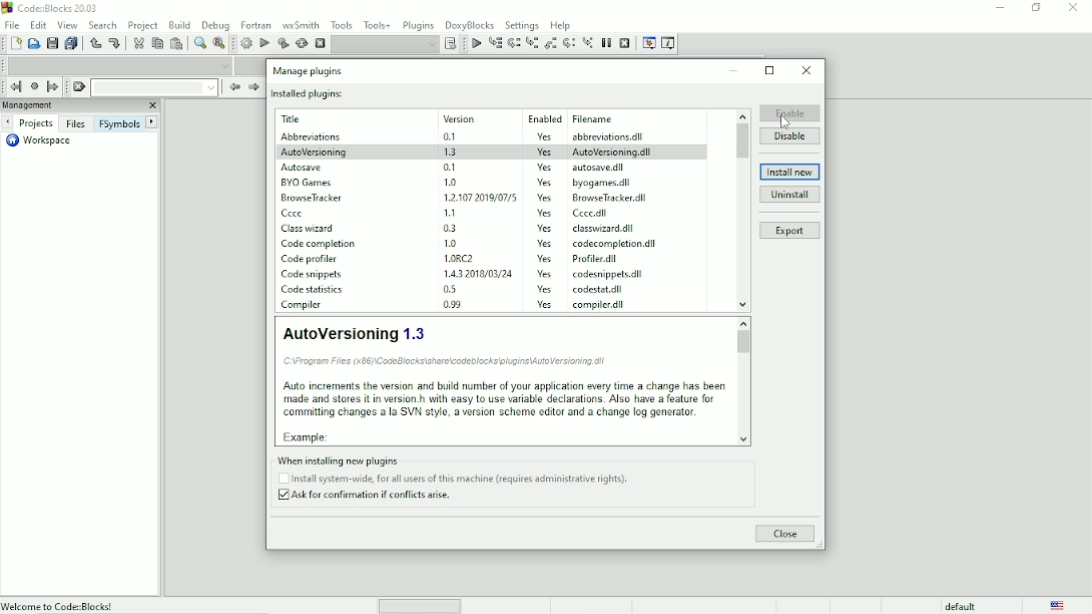 The height and width of the screenshot is (614, 1092). Describe the element at coordinates (450, 212) in the screenshot. I see `version ` at that location.